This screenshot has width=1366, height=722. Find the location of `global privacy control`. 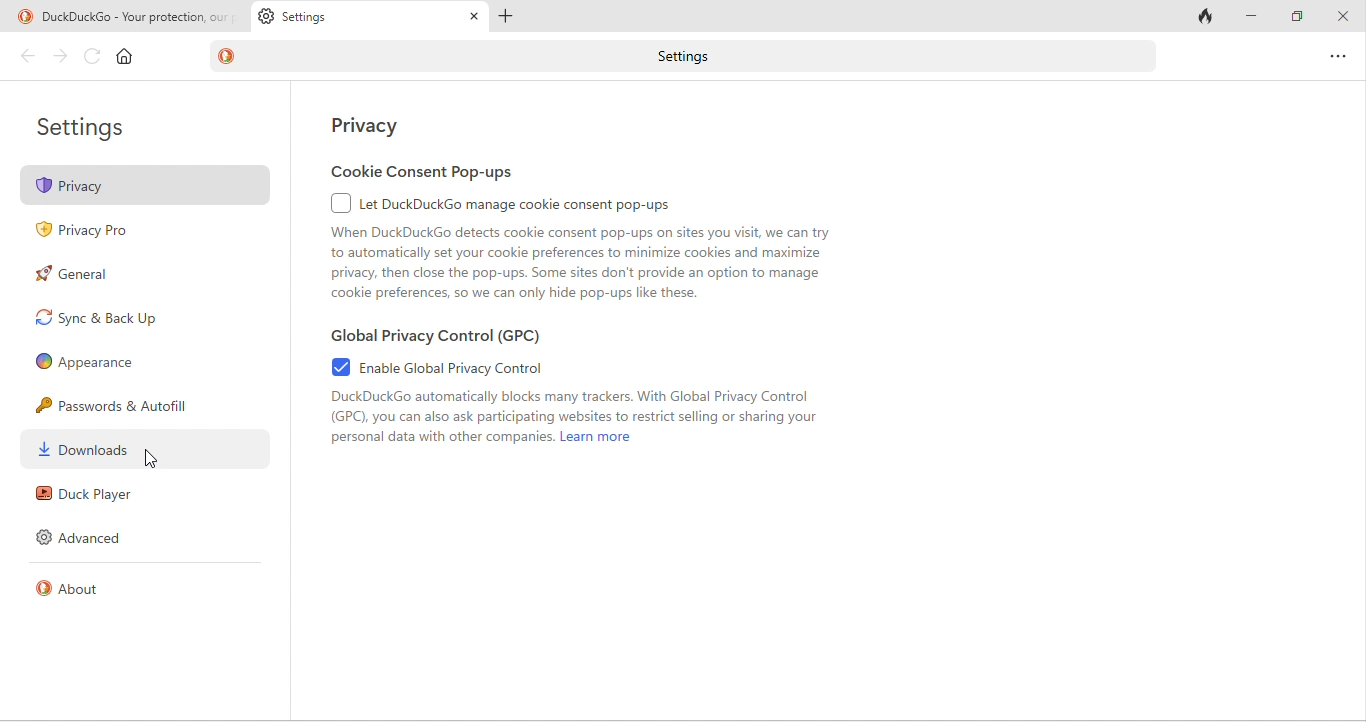

global privacy control is located at coordinates (458, 338).